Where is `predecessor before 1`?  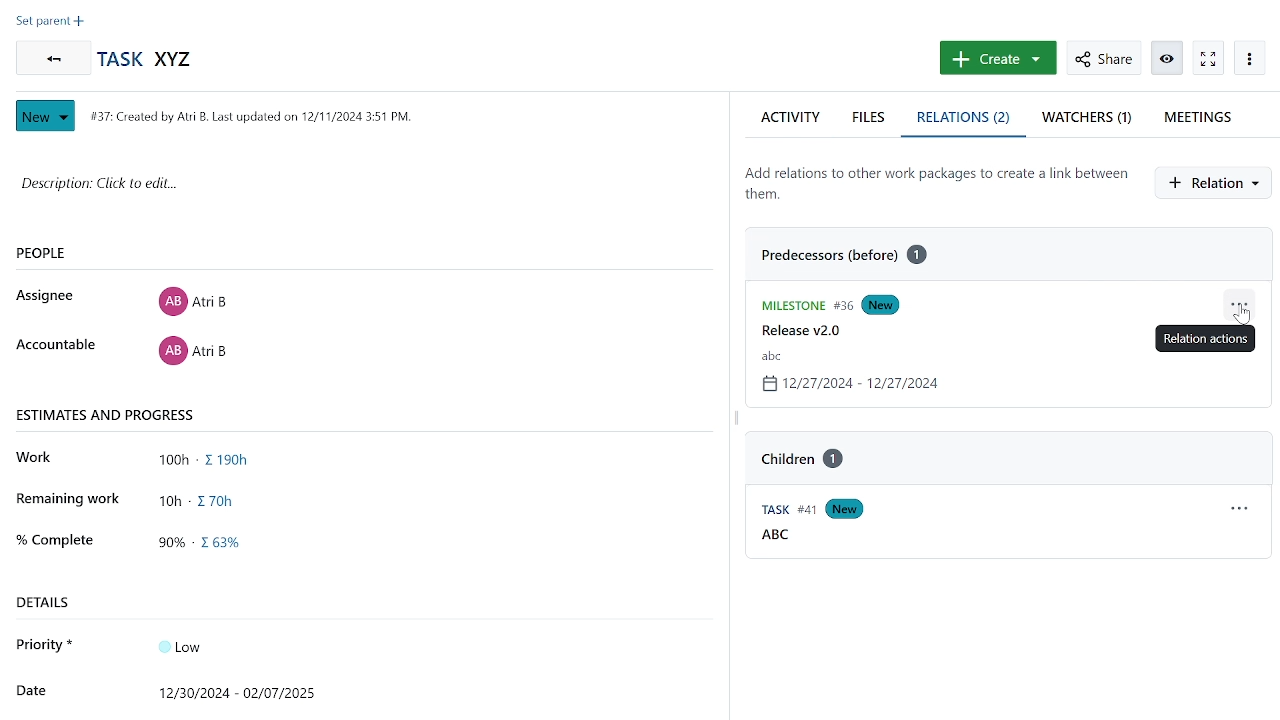
predecessor before 1 is located at coordinates (852, 256).